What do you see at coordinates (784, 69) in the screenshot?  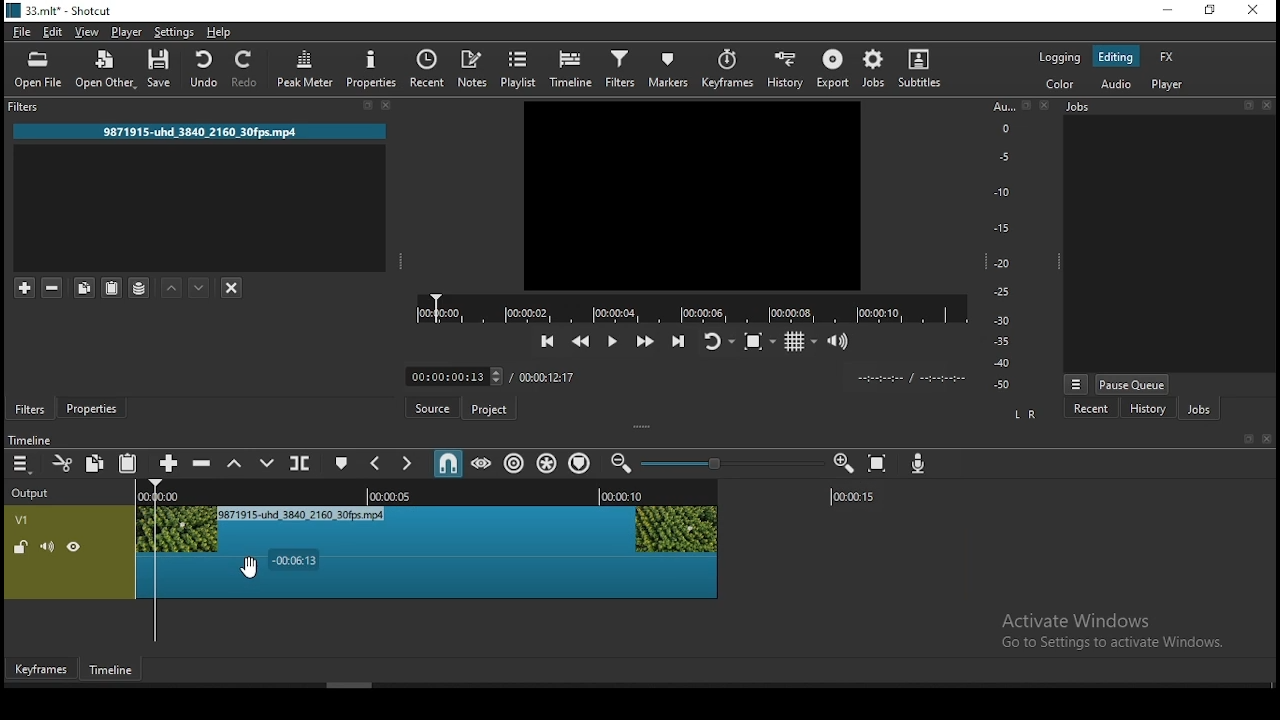 I see `history` at bounding box center [784, 69].